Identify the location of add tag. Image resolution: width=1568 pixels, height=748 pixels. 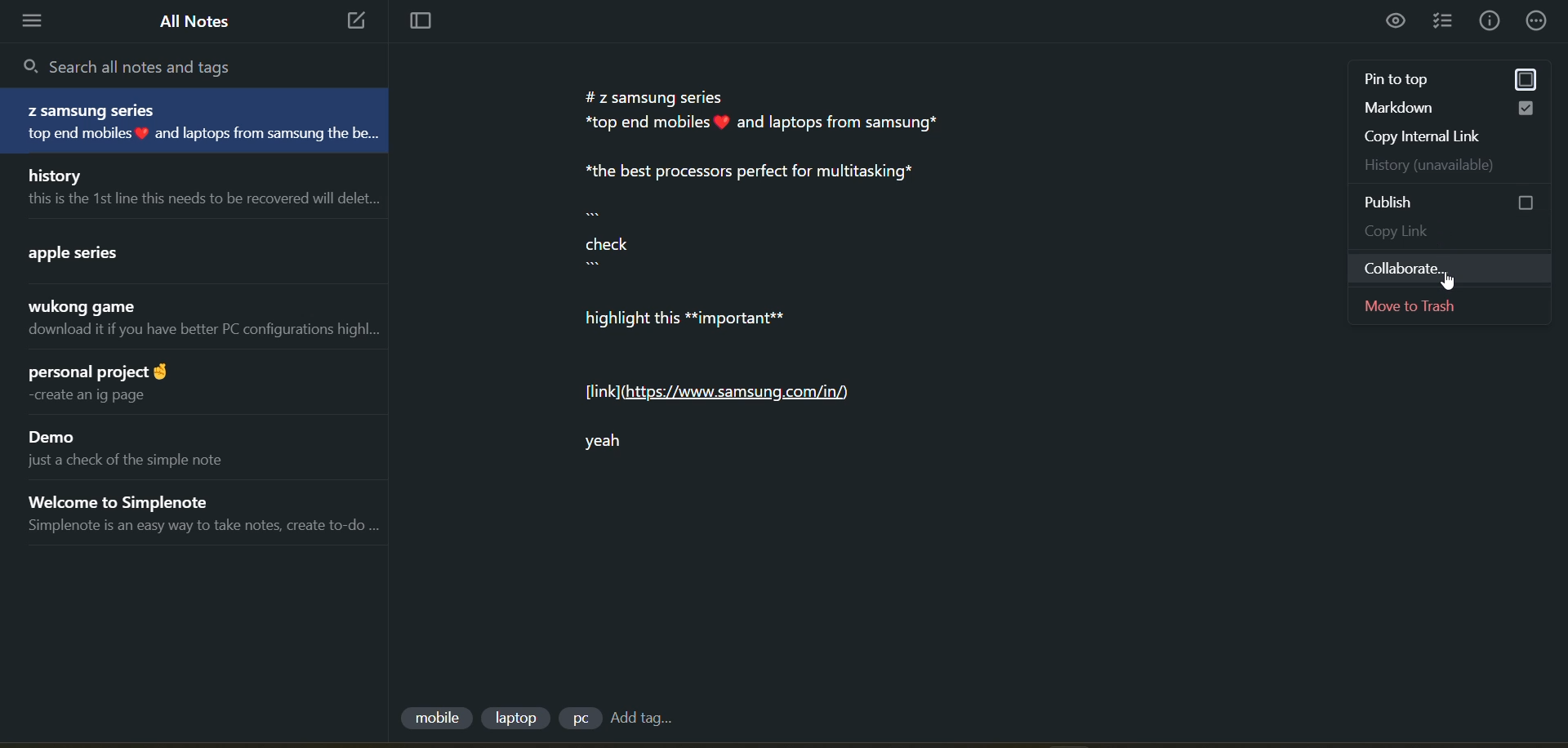
(640, 719).